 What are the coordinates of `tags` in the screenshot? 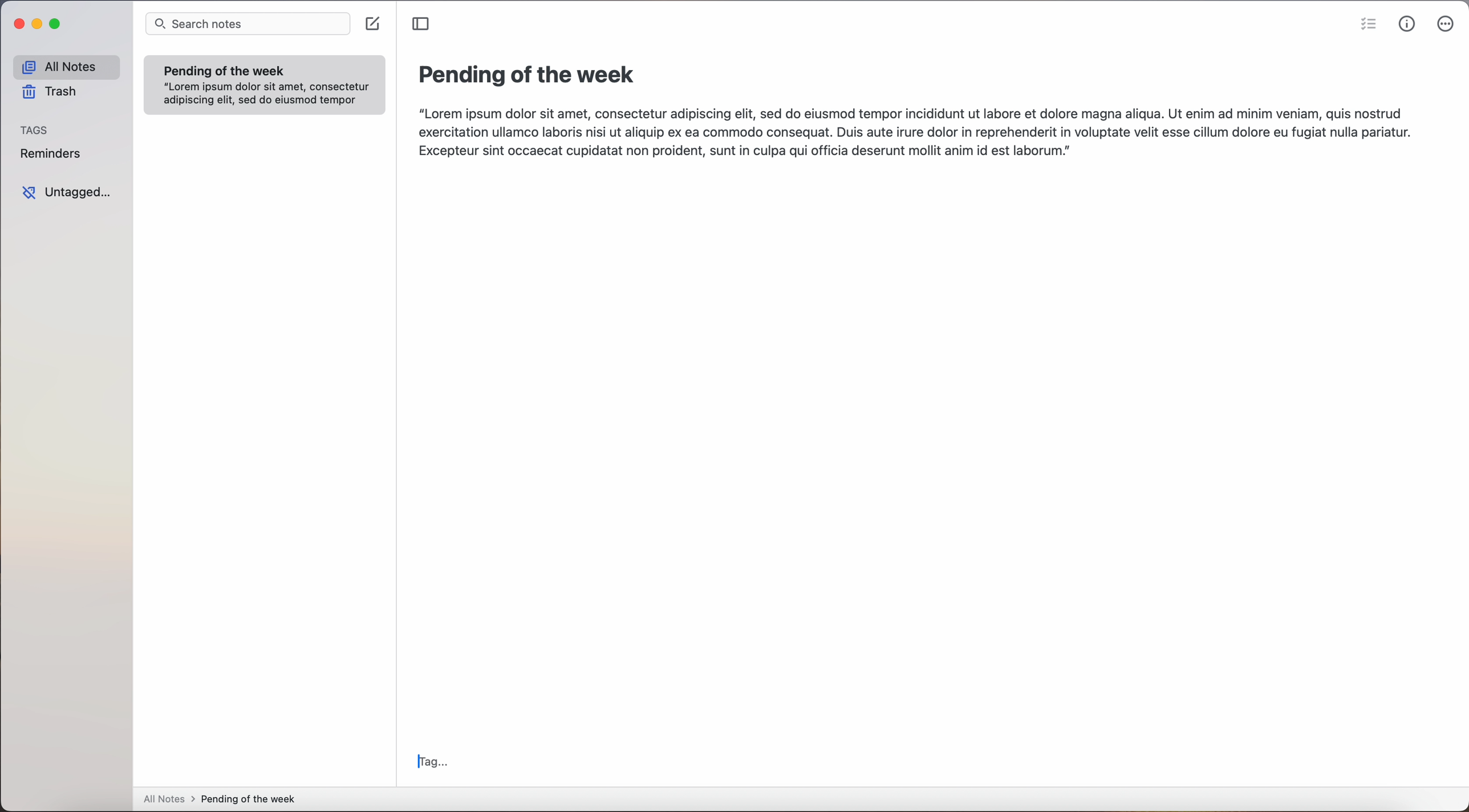 It's located at (36, 130).